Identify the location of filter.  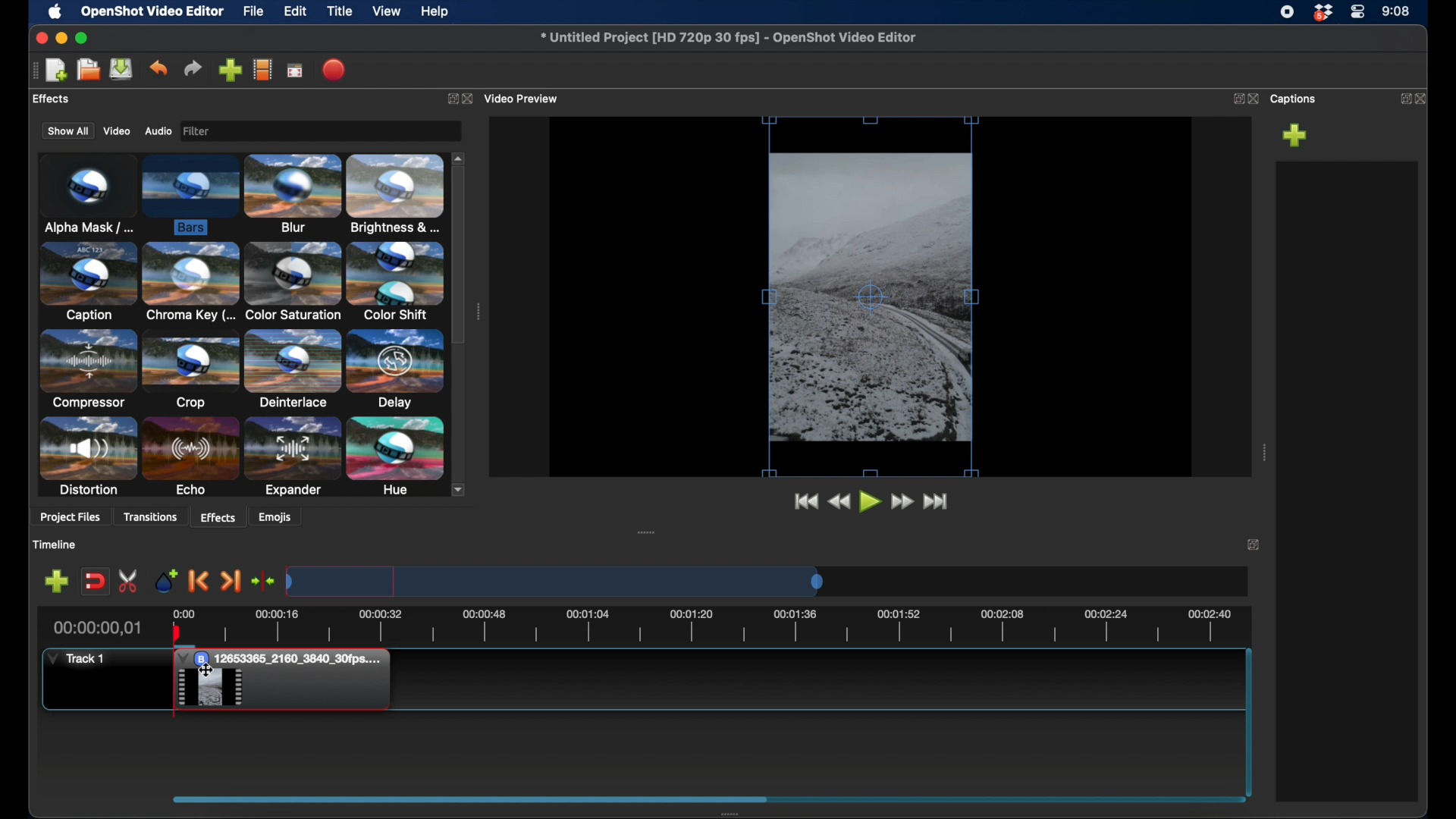
(241, 130).